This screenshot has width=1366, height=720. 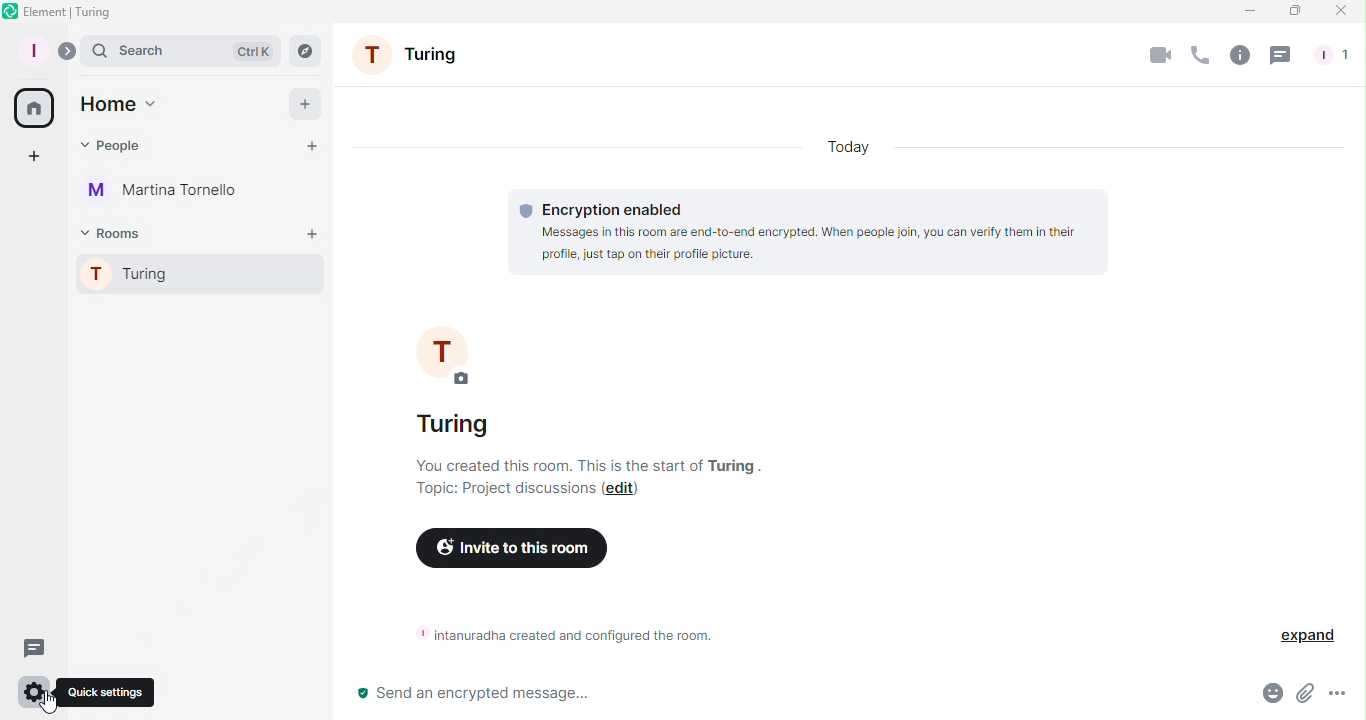 I want to click on Close, so click(x=1342, y=11).